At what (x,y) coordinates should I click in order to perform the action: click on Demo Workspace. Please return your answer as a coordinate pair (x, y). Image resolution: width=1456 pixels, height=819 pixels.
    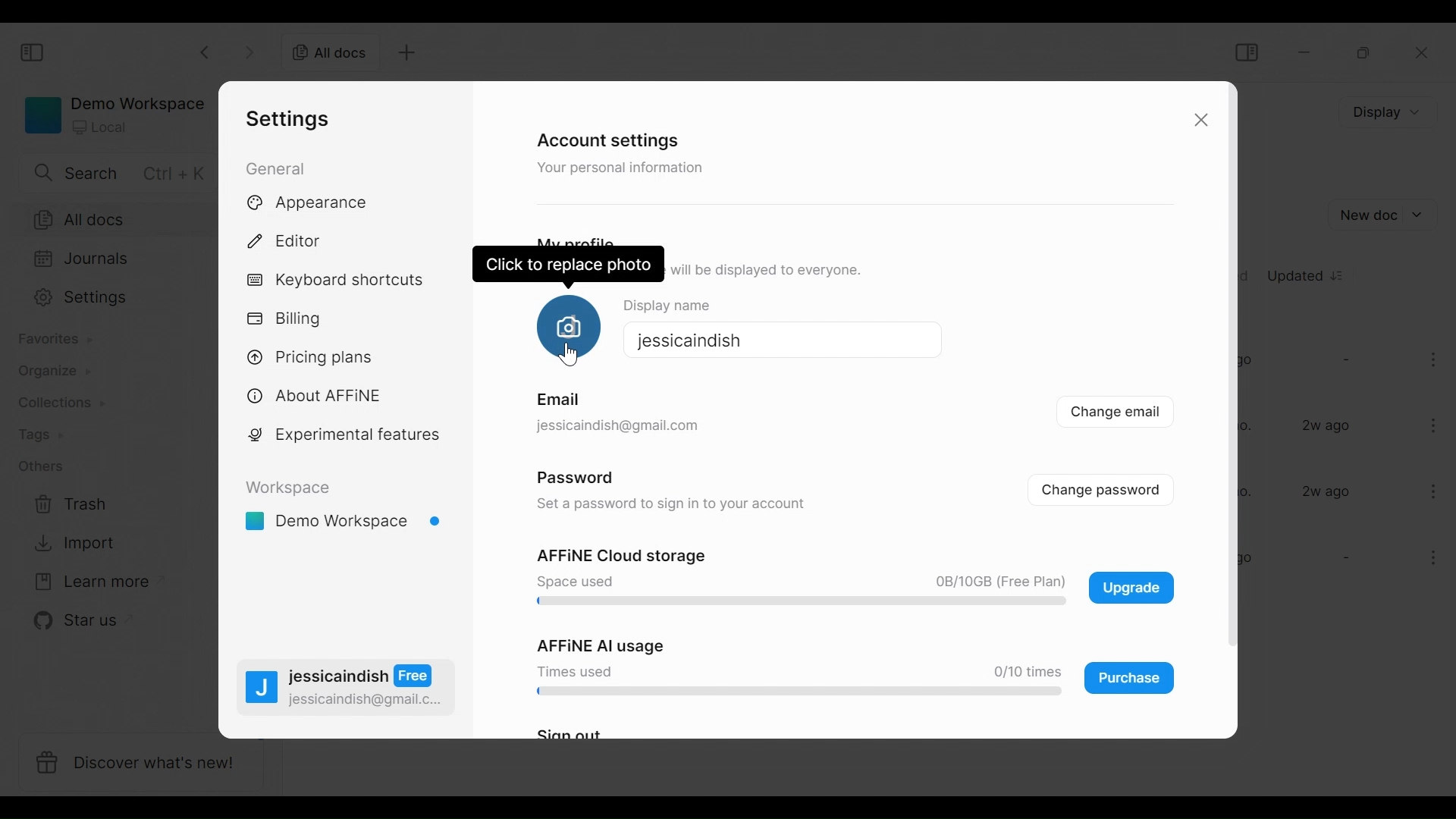
    Looking at the image, I should click on (345, 523).